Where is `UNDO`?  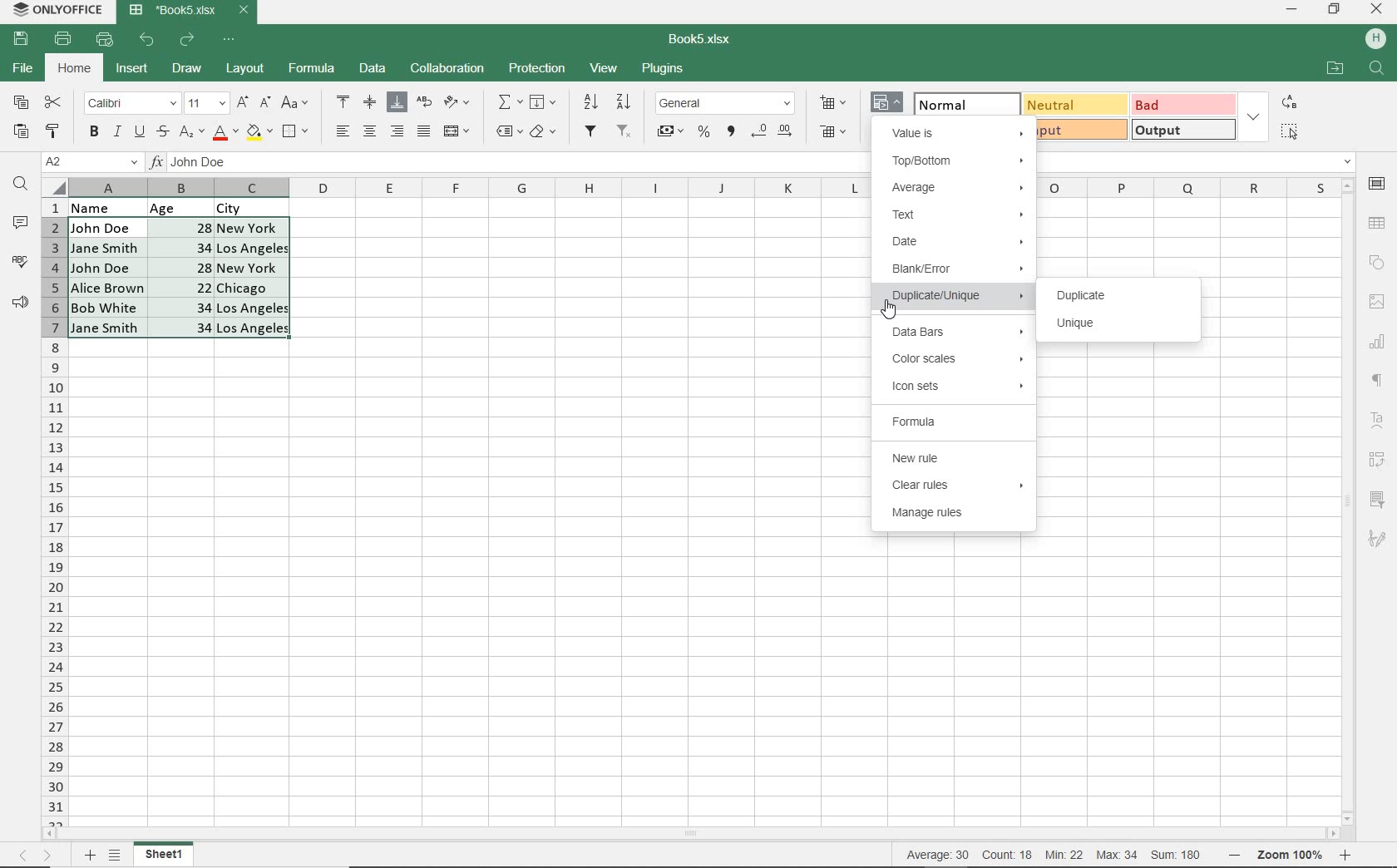 UNDO is located at coordinates (149, 40).